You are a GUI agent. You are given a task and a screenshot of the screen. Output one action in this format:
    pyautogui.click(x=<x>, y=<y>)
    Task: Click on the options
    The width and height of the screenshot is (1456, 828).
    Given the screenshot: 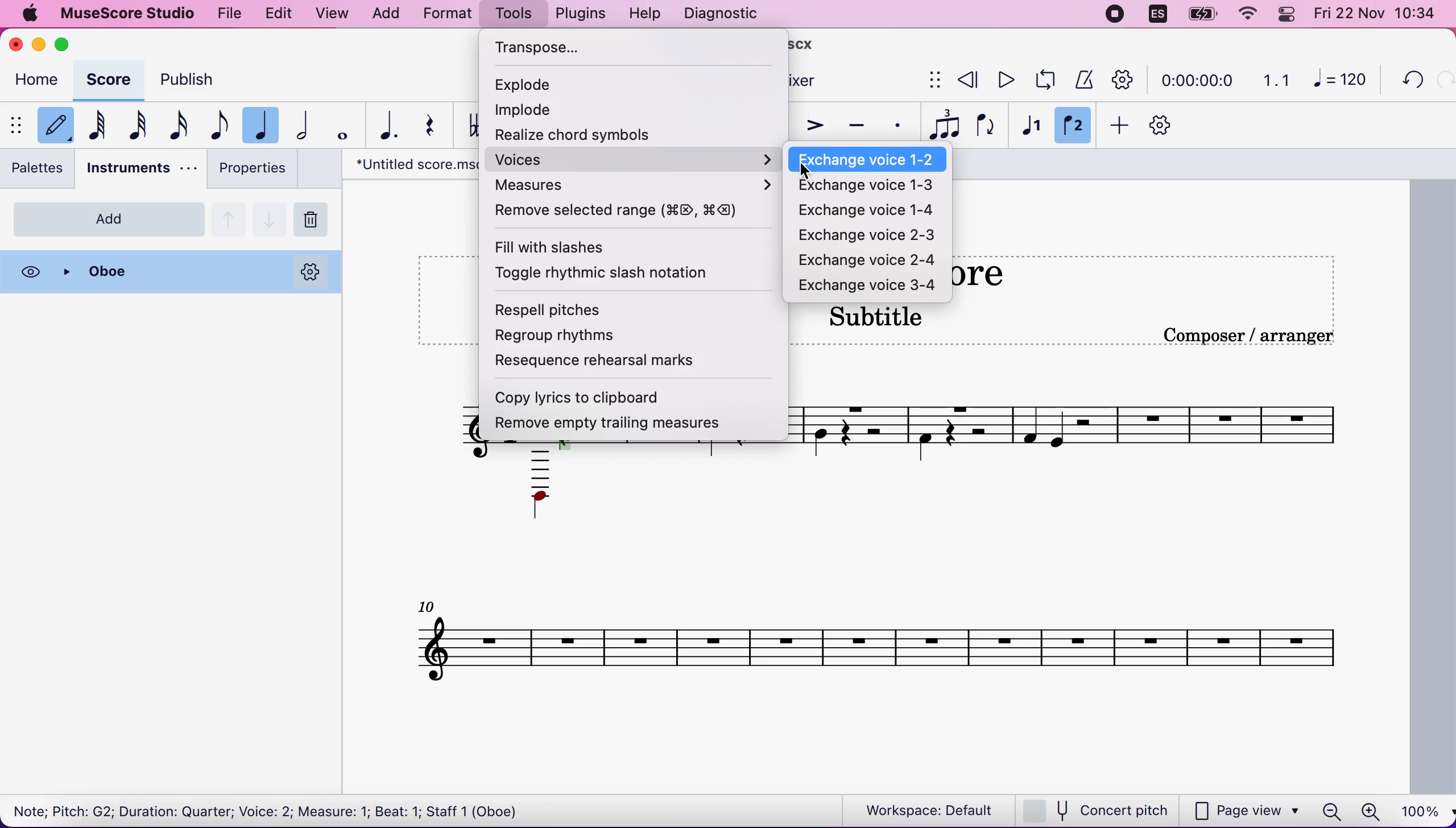 What is the action you would take?
    pyautogui.click(x=311, y=272)
    